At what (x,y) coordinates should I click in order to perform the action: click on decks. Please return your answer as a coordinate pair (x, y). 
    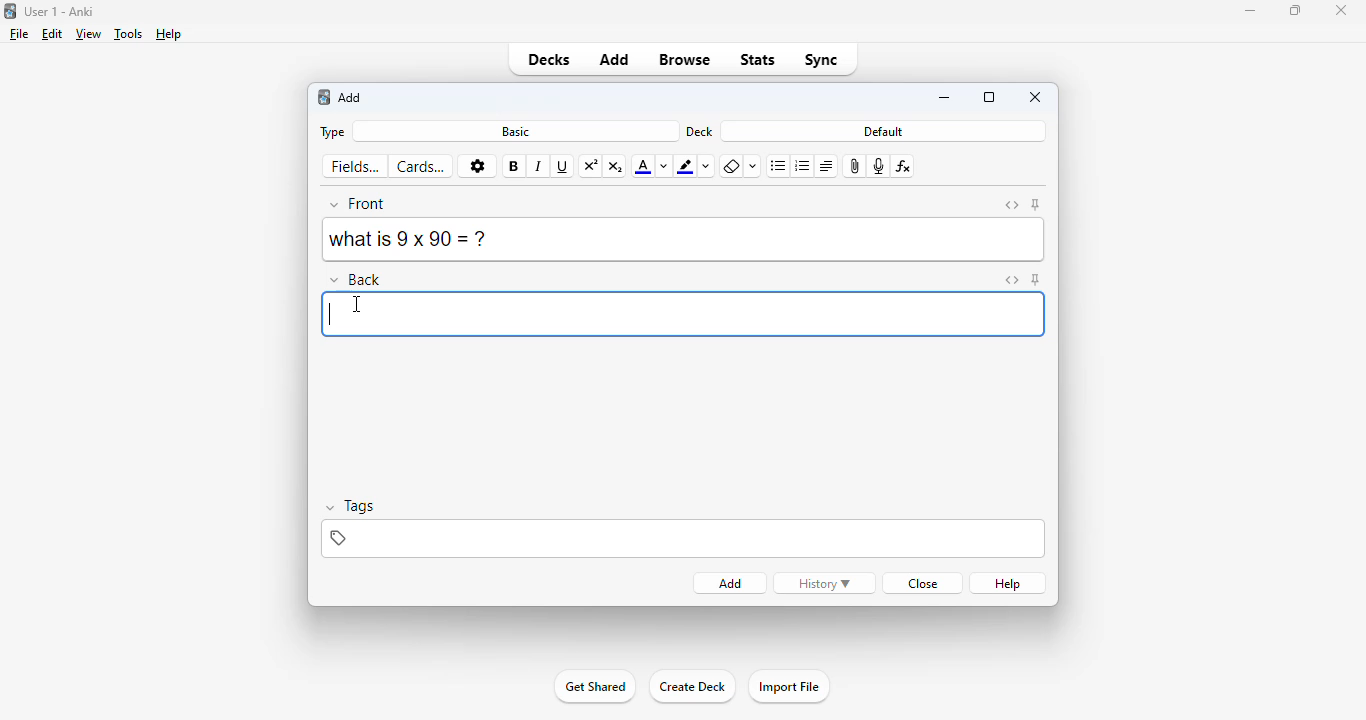
    Looking at the image, I should click on (548, 59).